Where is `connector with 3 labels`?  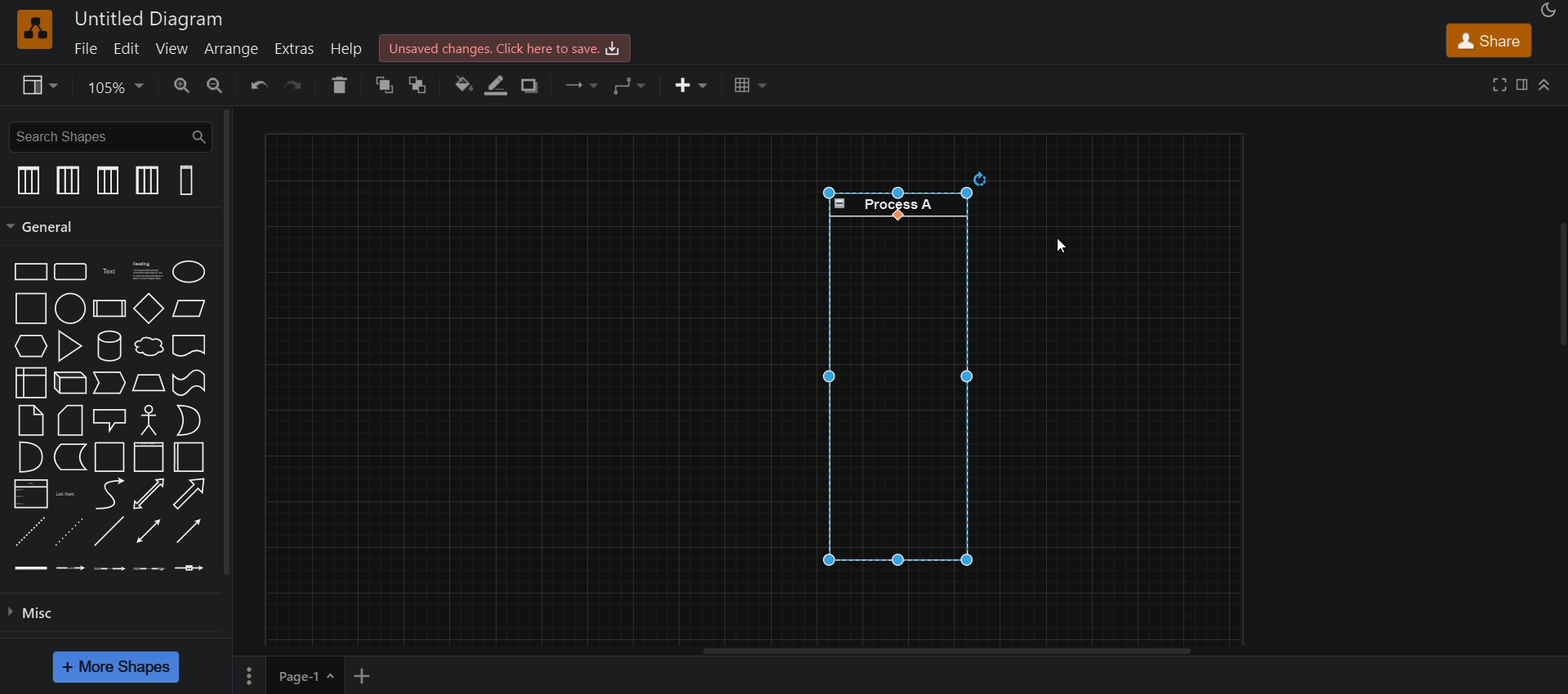
connector with 3 labels is located at coordinates (153, 569).